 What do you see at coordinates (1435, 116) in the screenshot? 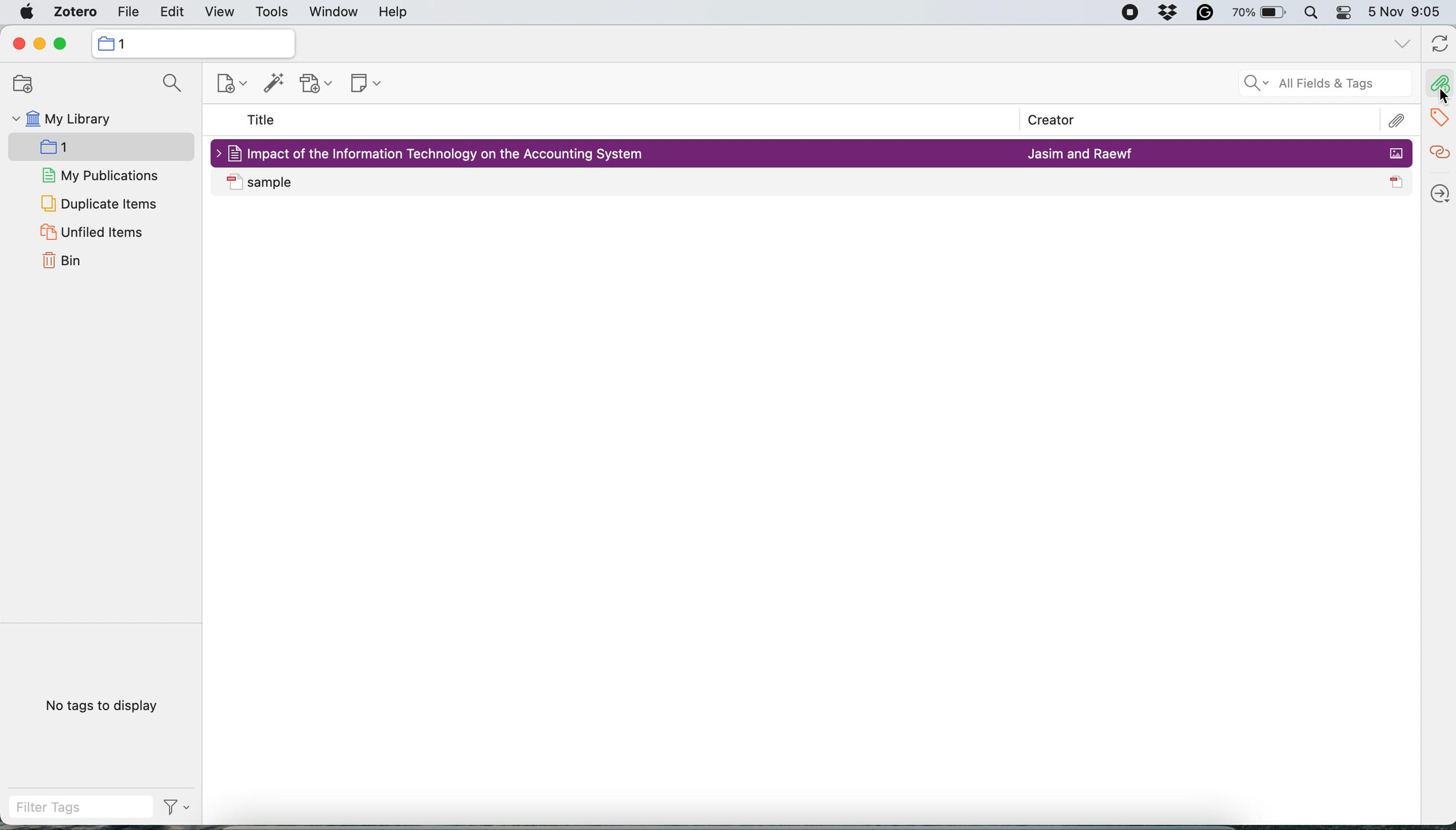
I see `tags` at bounding box center [1435, 116].